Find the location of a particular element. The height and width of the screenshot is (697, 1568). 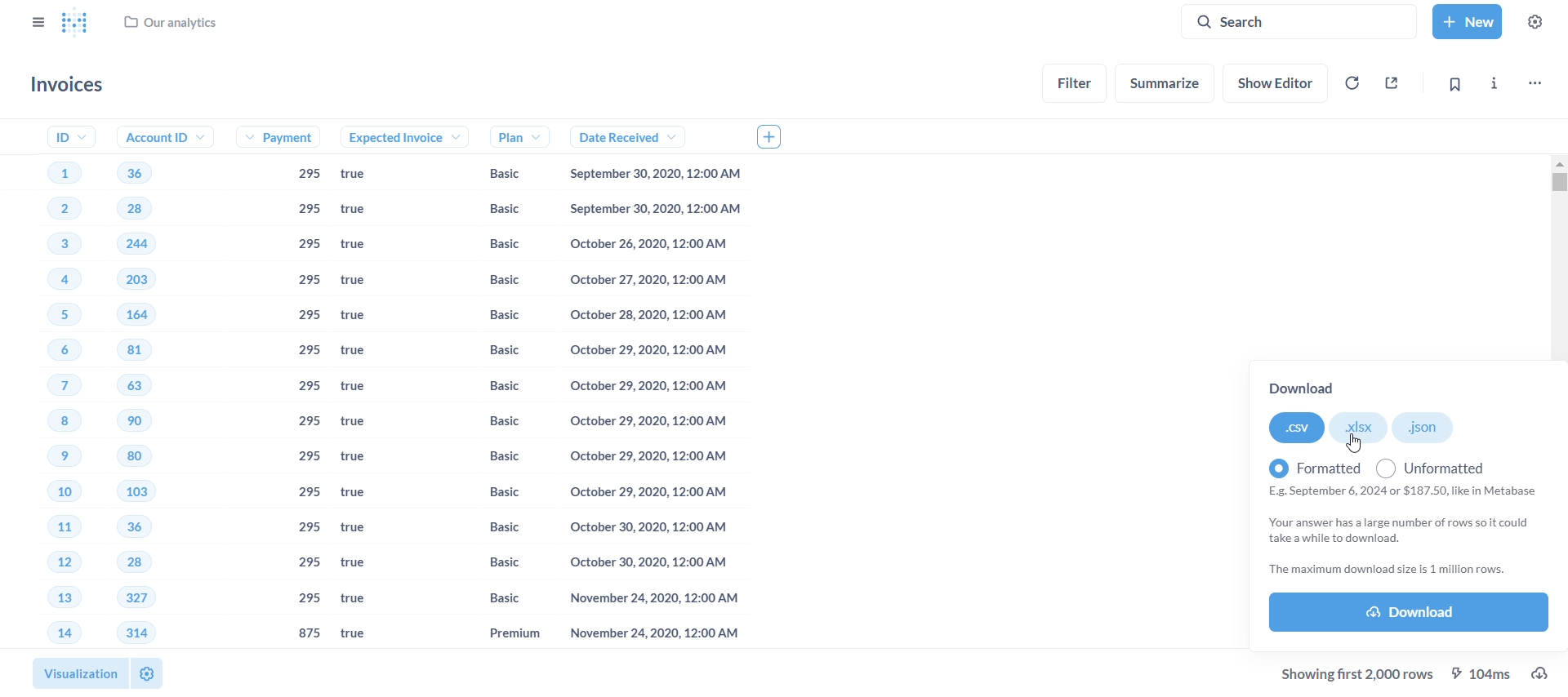

October 29,2020, 12:00 AM is located at coordinates (655, 353).